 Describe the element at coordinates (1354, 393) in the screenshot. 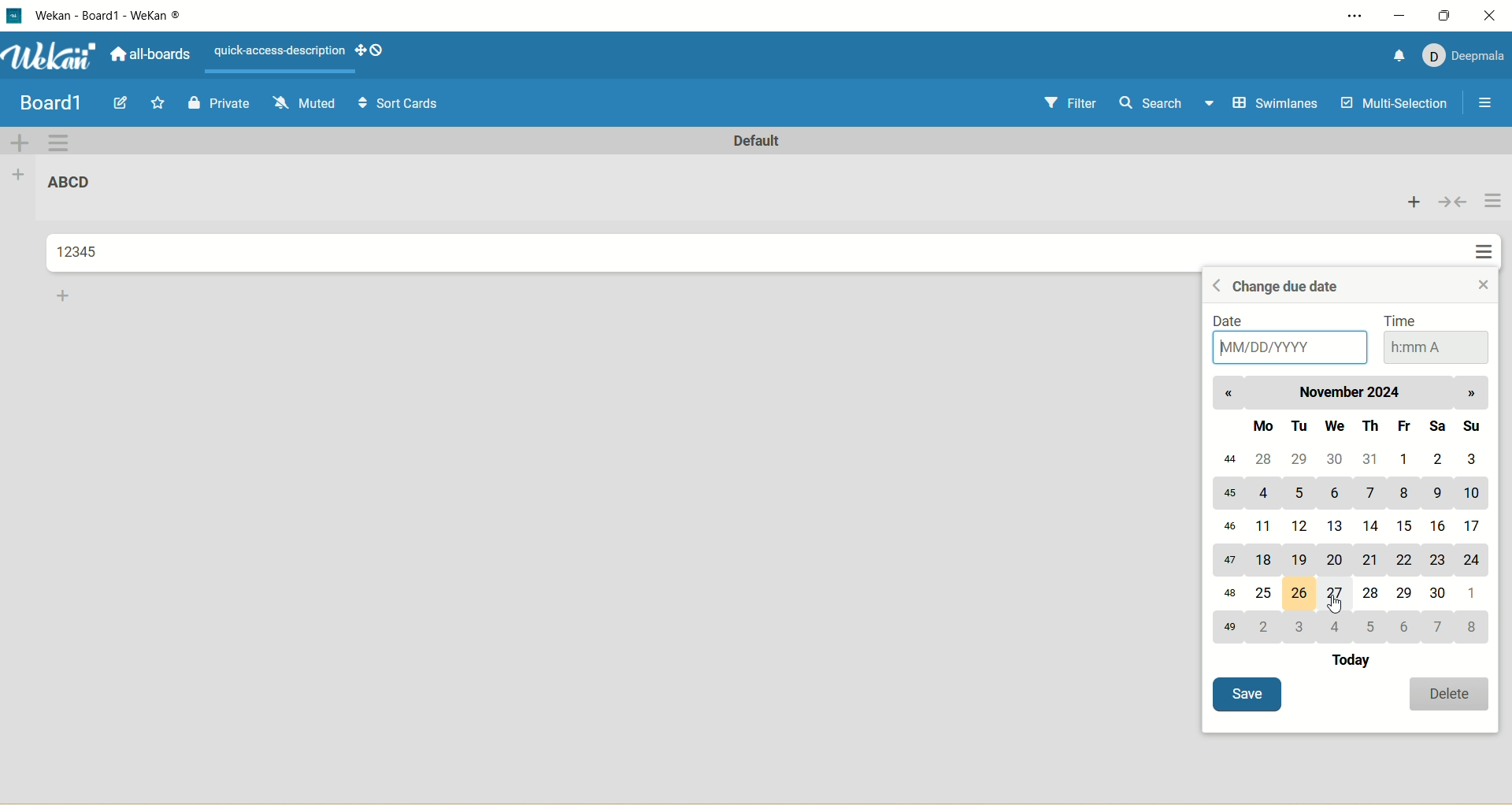

I see `month` at that location.